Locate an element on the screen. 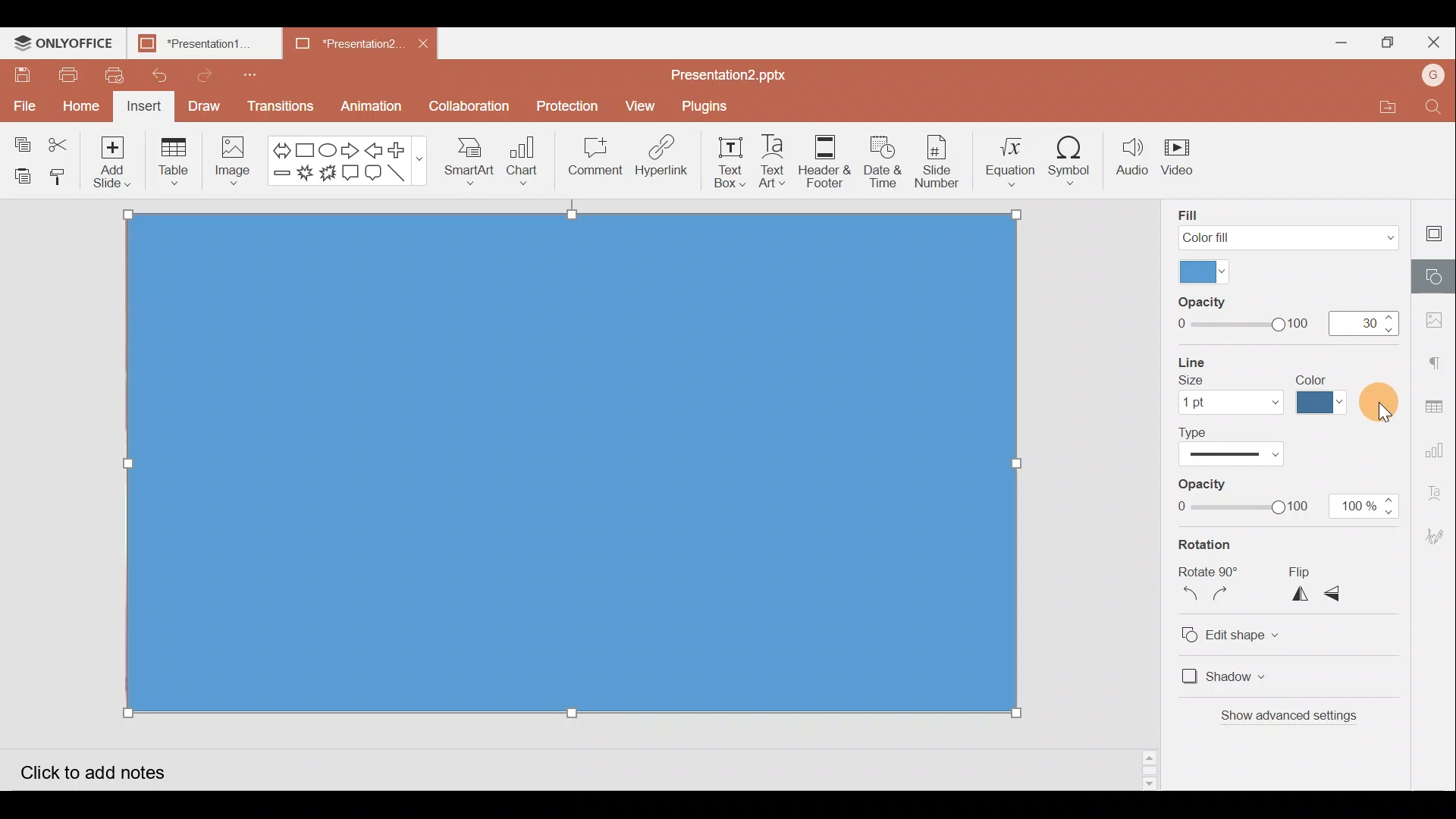 This screenshot has height=819, width=1456. Signature settings is located at coordinates (1438, 534).